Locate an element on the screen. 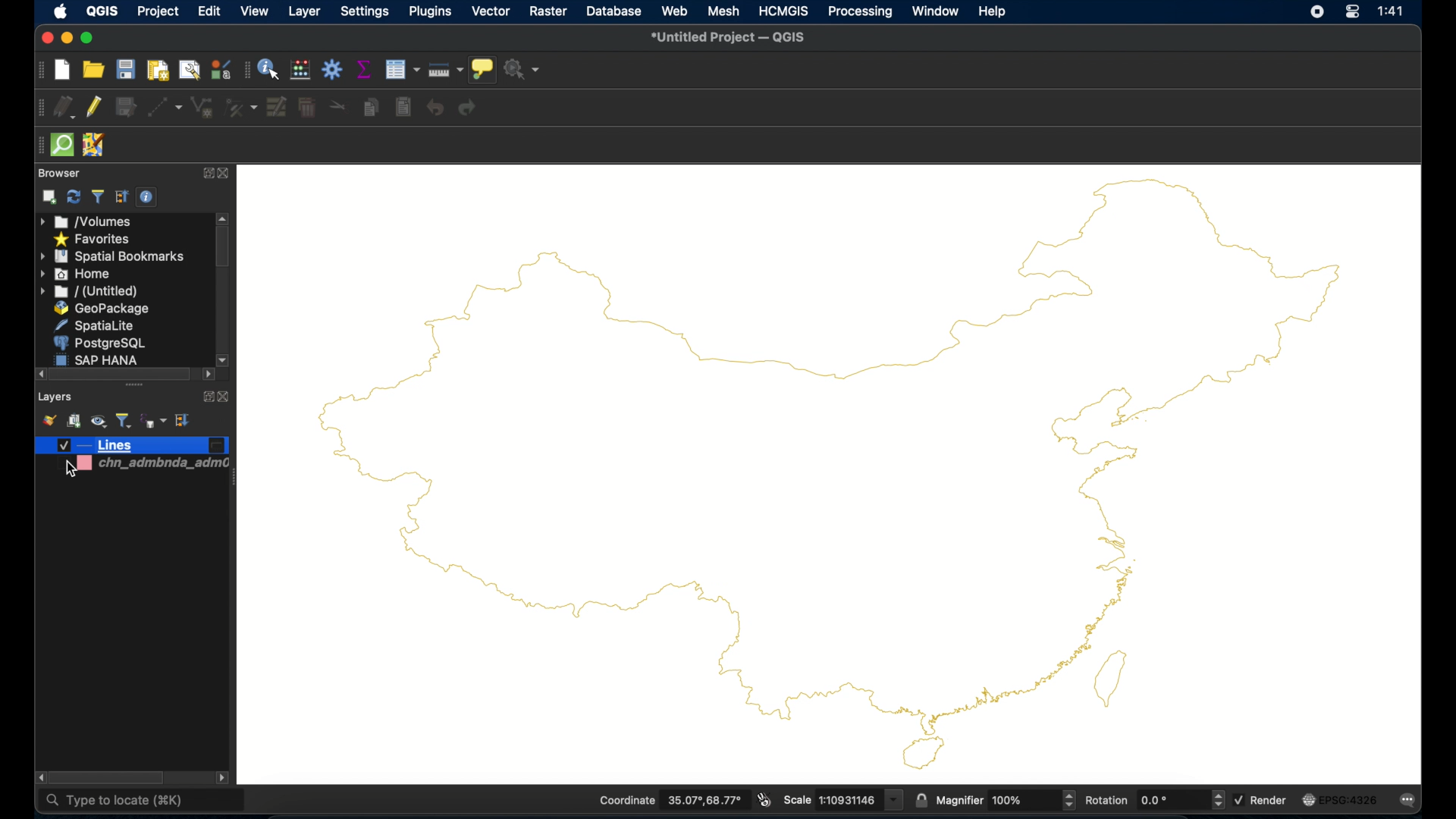 The height and width of the screenshot is (819, 1456). raster is located at coordinates (548, 11).